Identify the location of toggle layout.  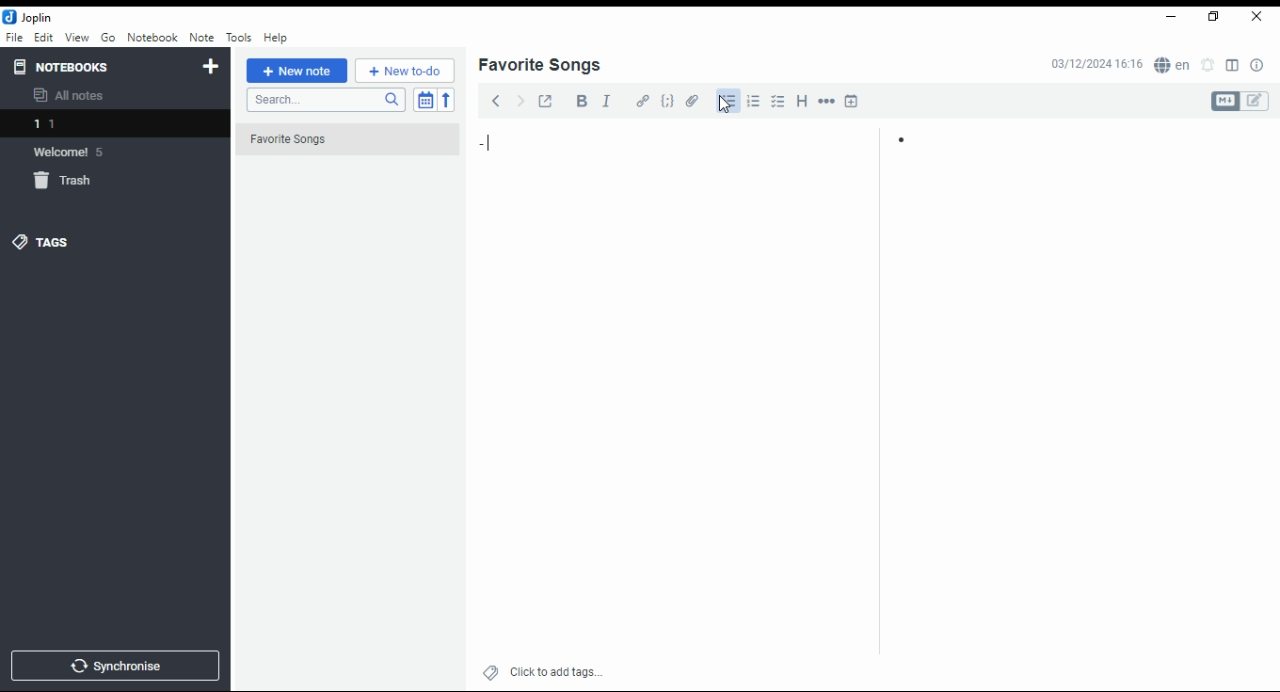
(1233, 66).